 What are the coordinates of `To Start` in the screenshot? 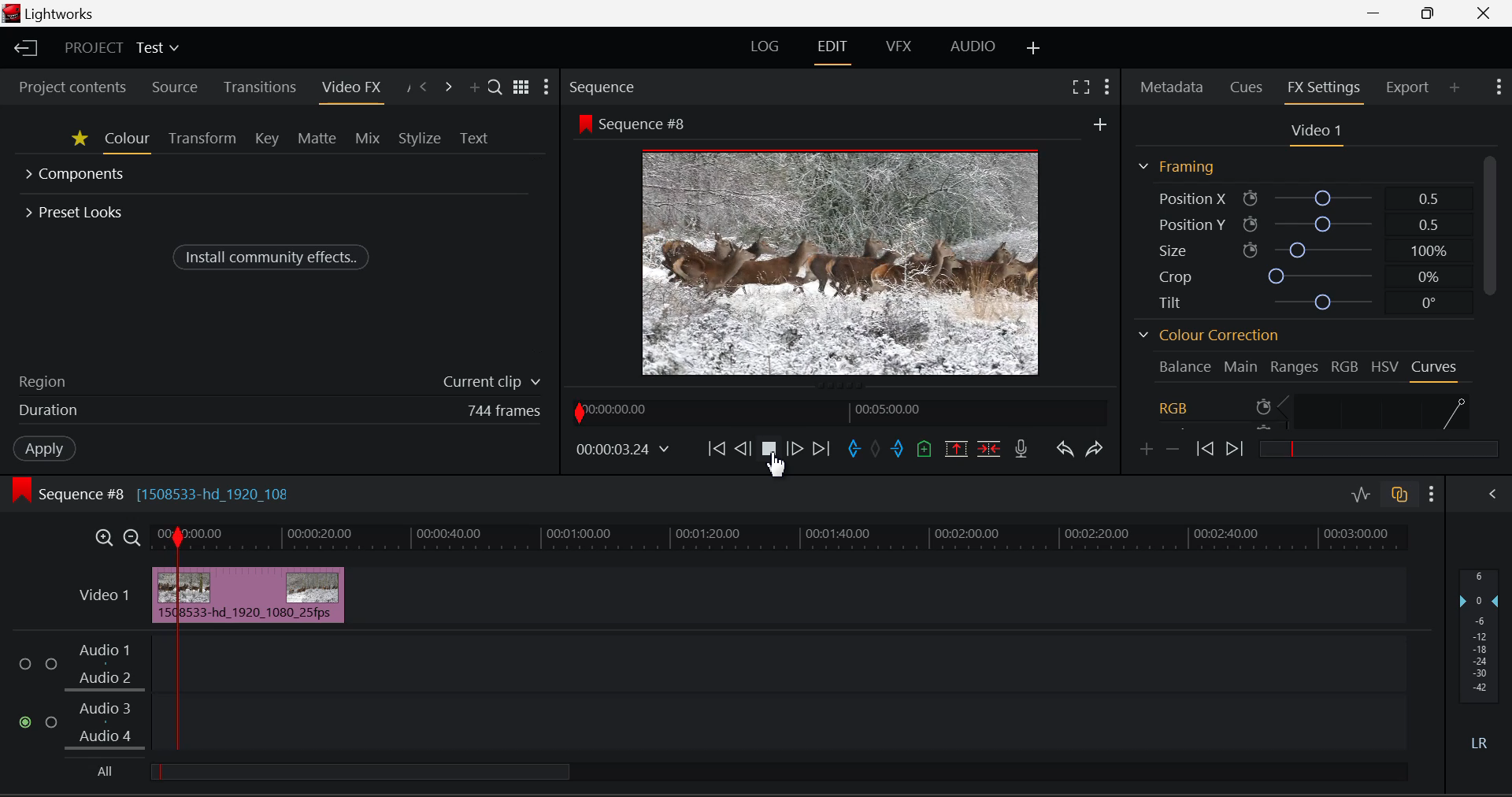 It's located at (718, 450).